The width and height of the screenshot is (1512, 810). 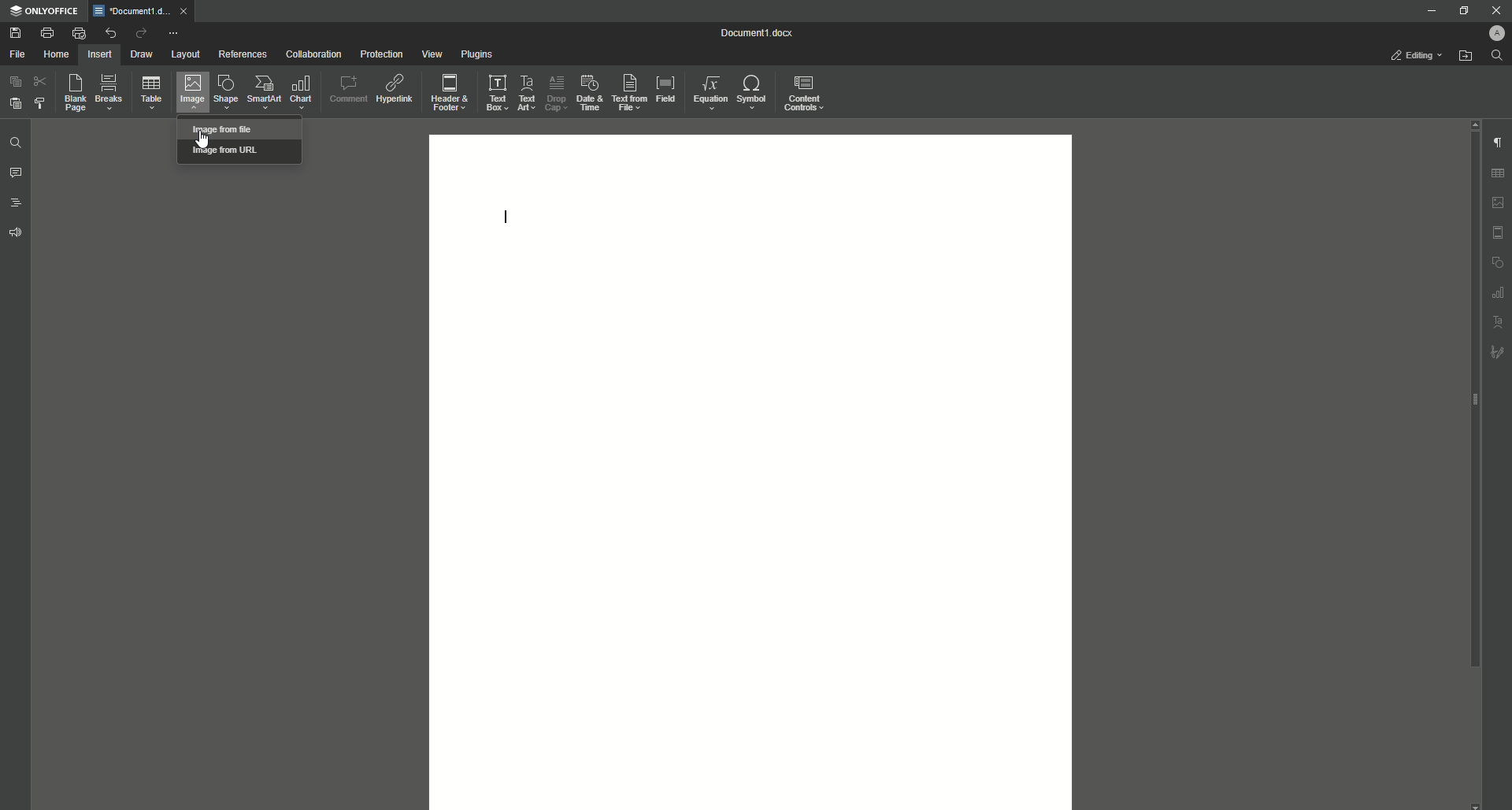 I want to click on Document1.docx, so click(x=132, y=12).